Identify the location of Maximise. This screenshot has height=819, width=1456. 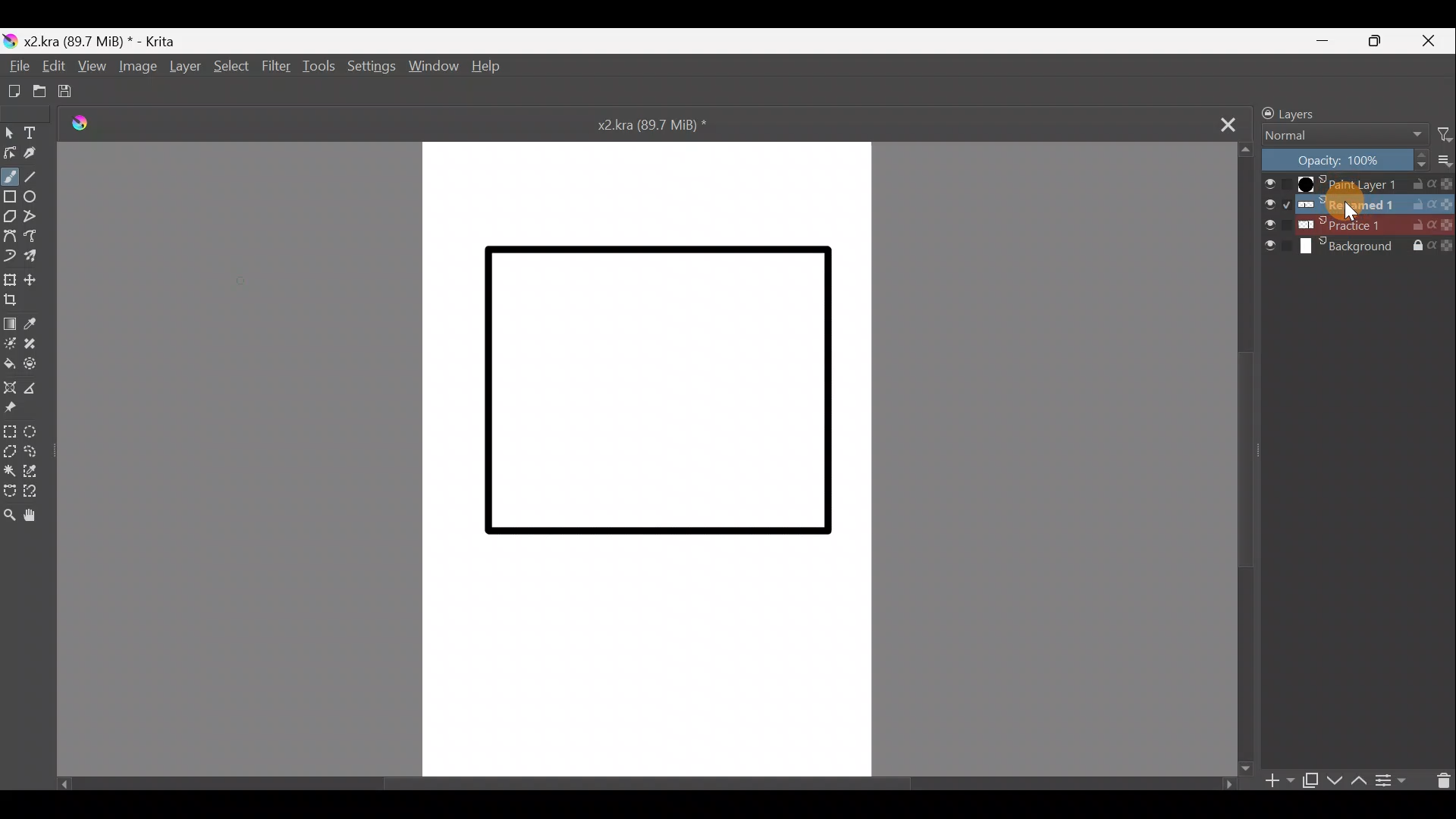
(1378, 44).